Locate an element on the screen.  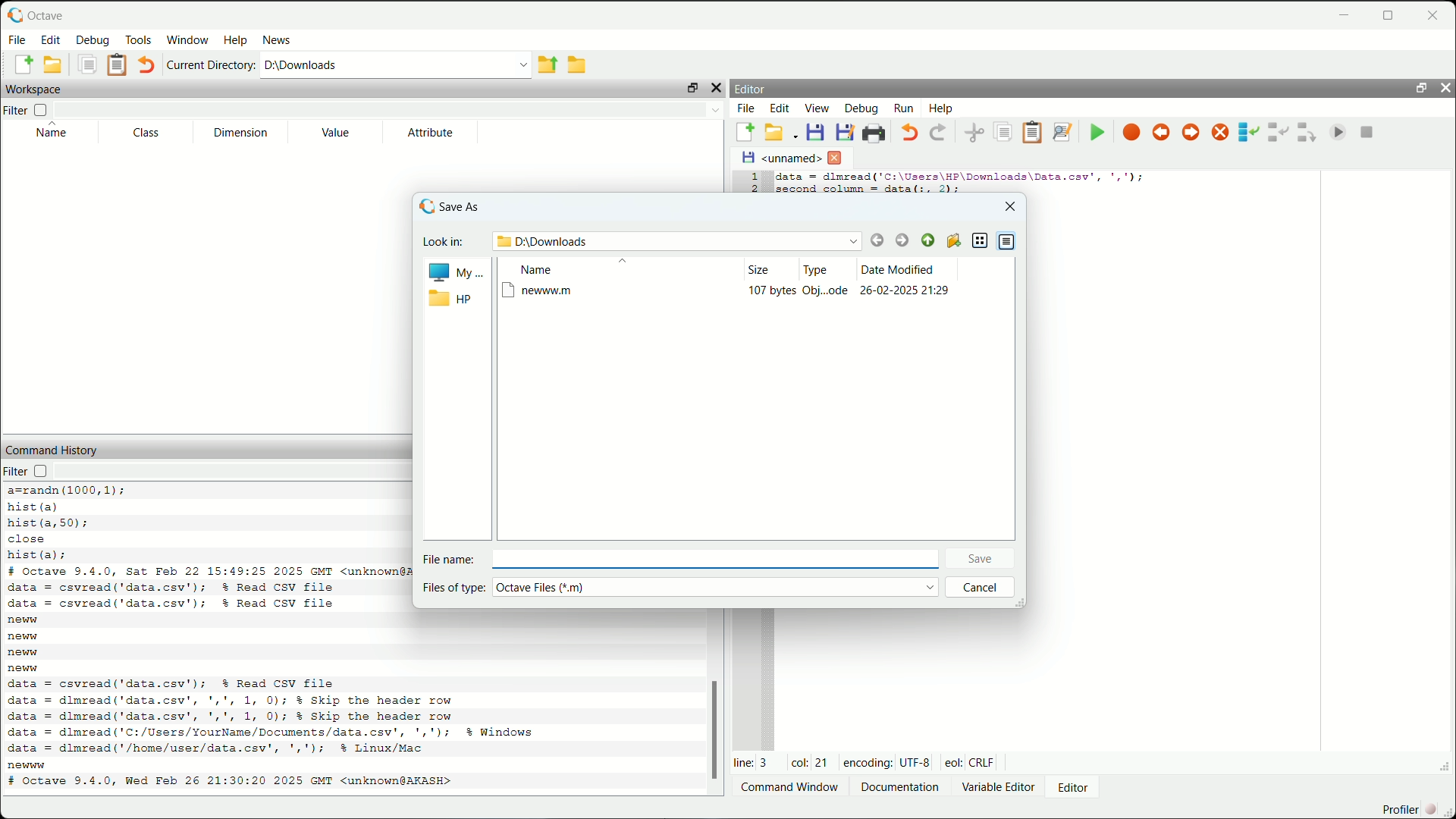
code to read csv is located at coordinates (322, 716).